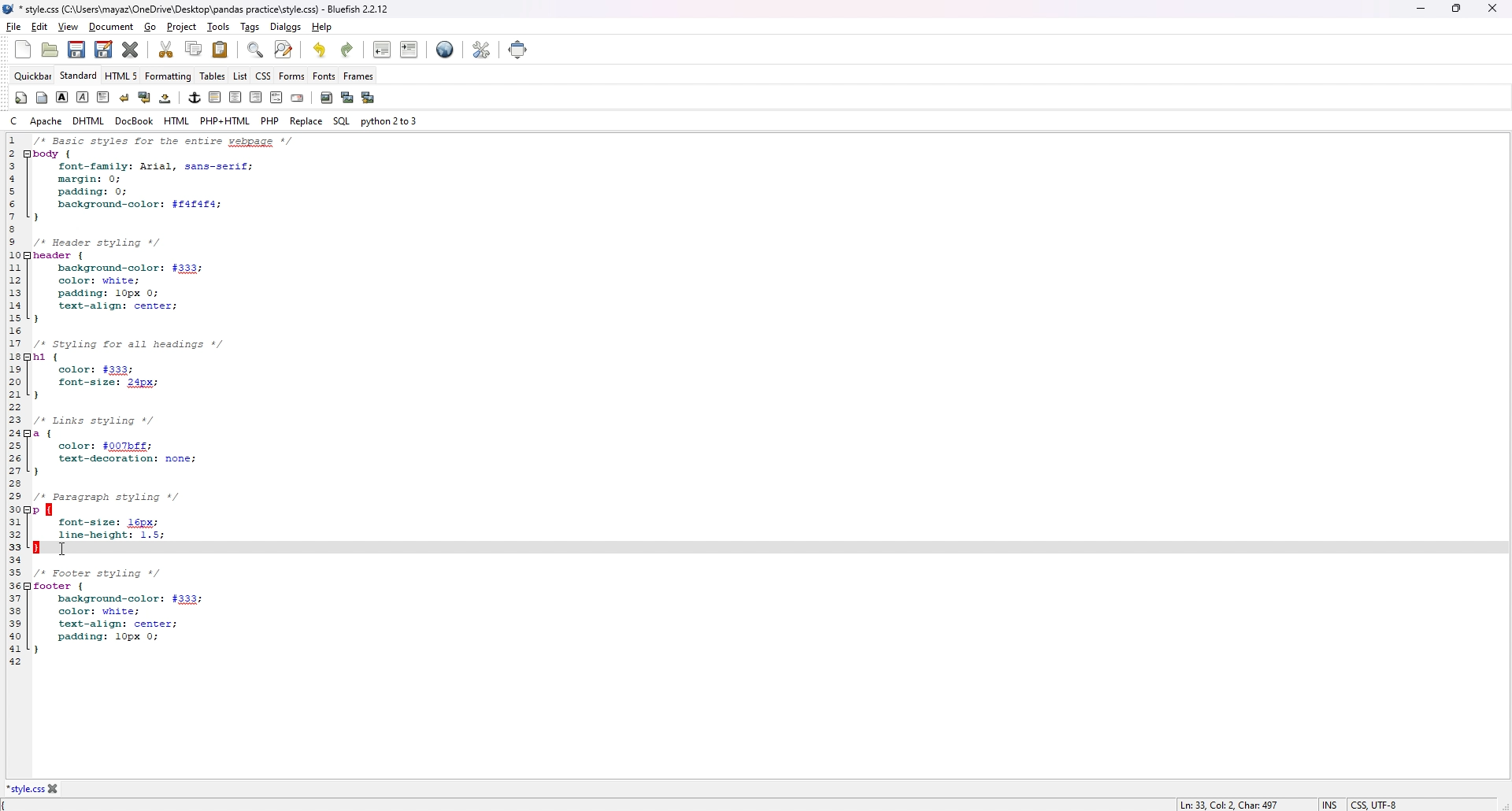  Describe the element at coordinates (169, 76) in the screenshot. I see `formatting` at that location.